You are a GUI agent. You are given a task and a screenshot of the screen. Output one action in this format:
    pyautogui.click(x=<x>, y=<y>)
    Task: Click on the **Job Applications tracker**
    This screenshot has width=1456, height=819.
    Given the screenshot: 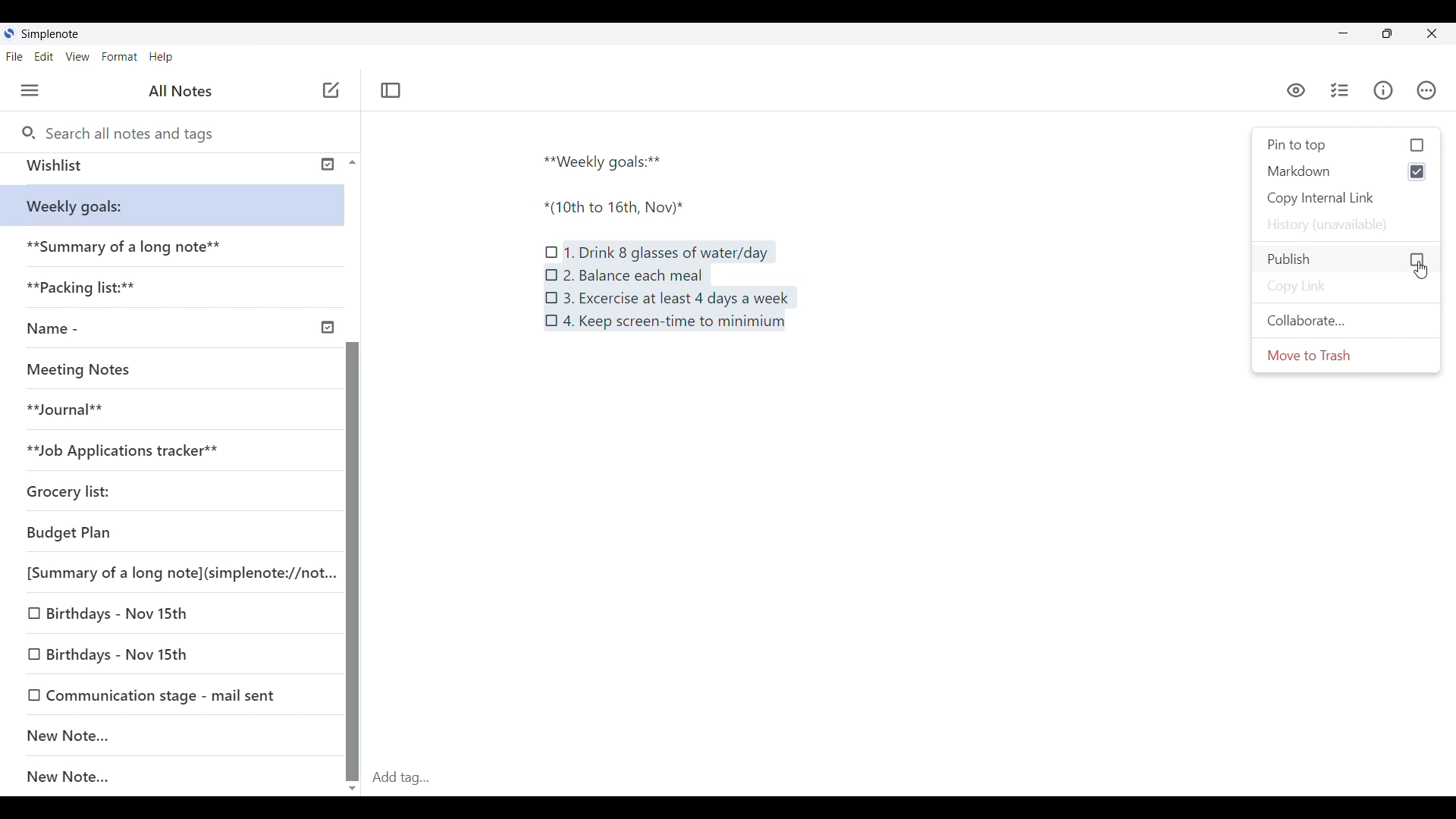 What is the action you would take?
    pyautogui.click(x=137, y=450)
    